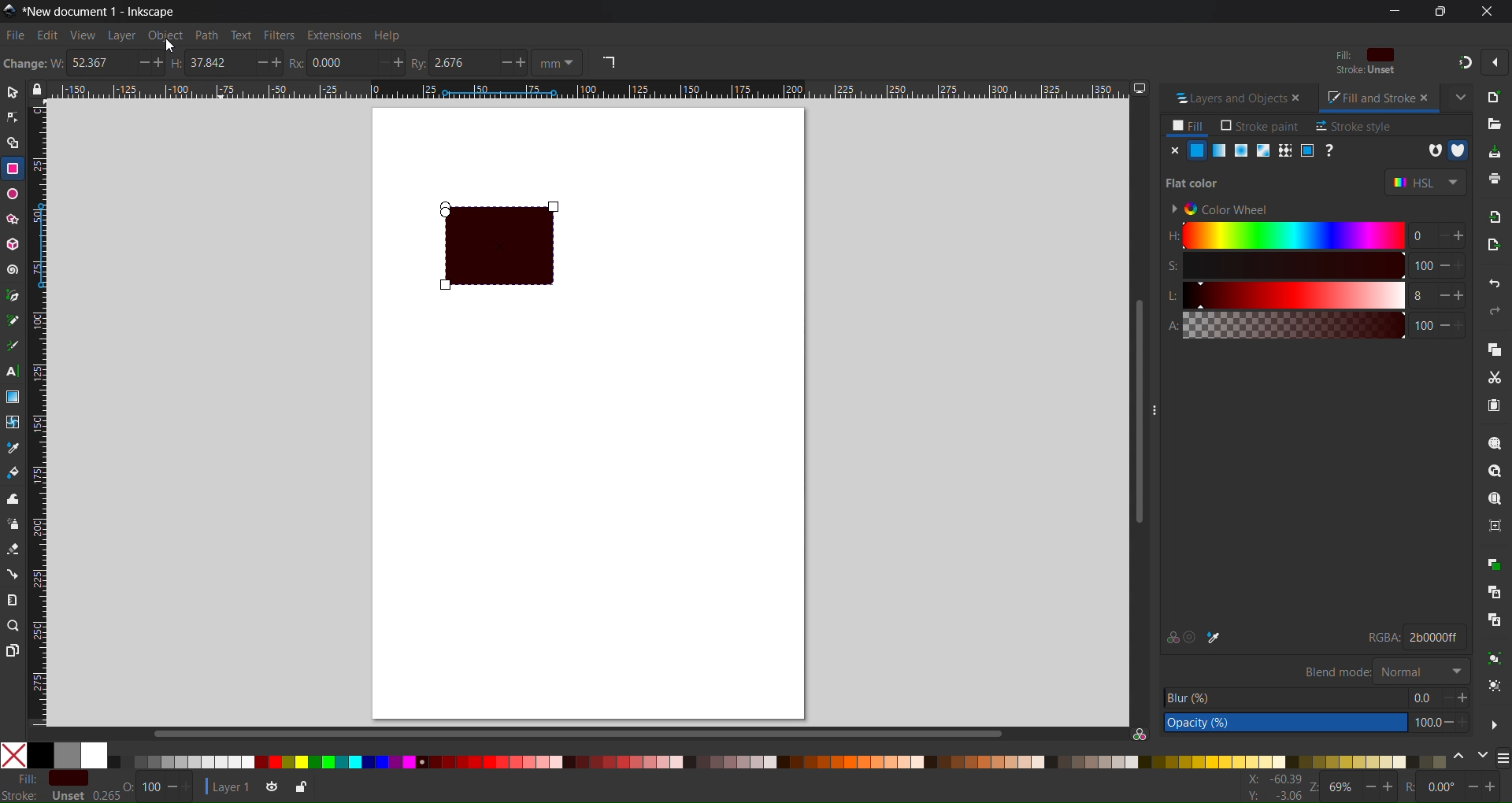 This screenshot has width=1512, height=803. I want to click on Vertical Millimeter scale , so click(42, 416).